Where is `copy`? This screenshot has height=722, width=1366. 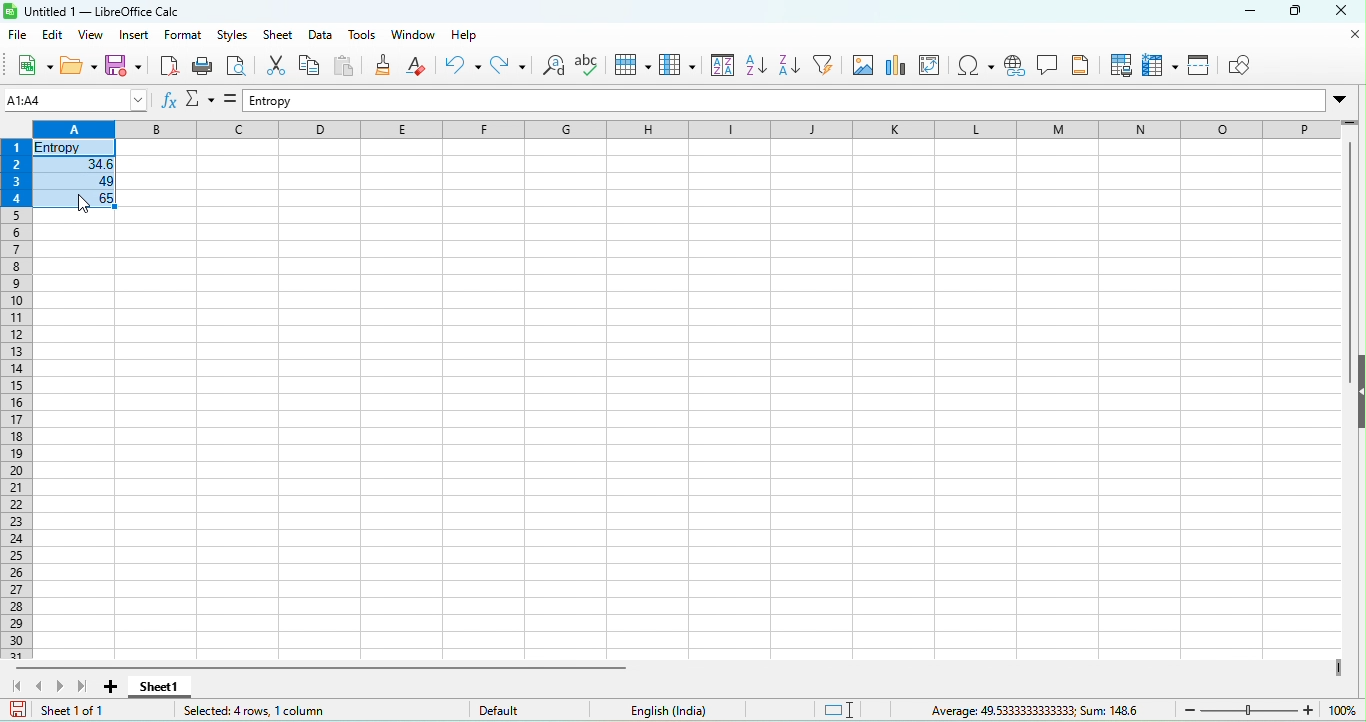
copy is located at coordinates (307, 66).